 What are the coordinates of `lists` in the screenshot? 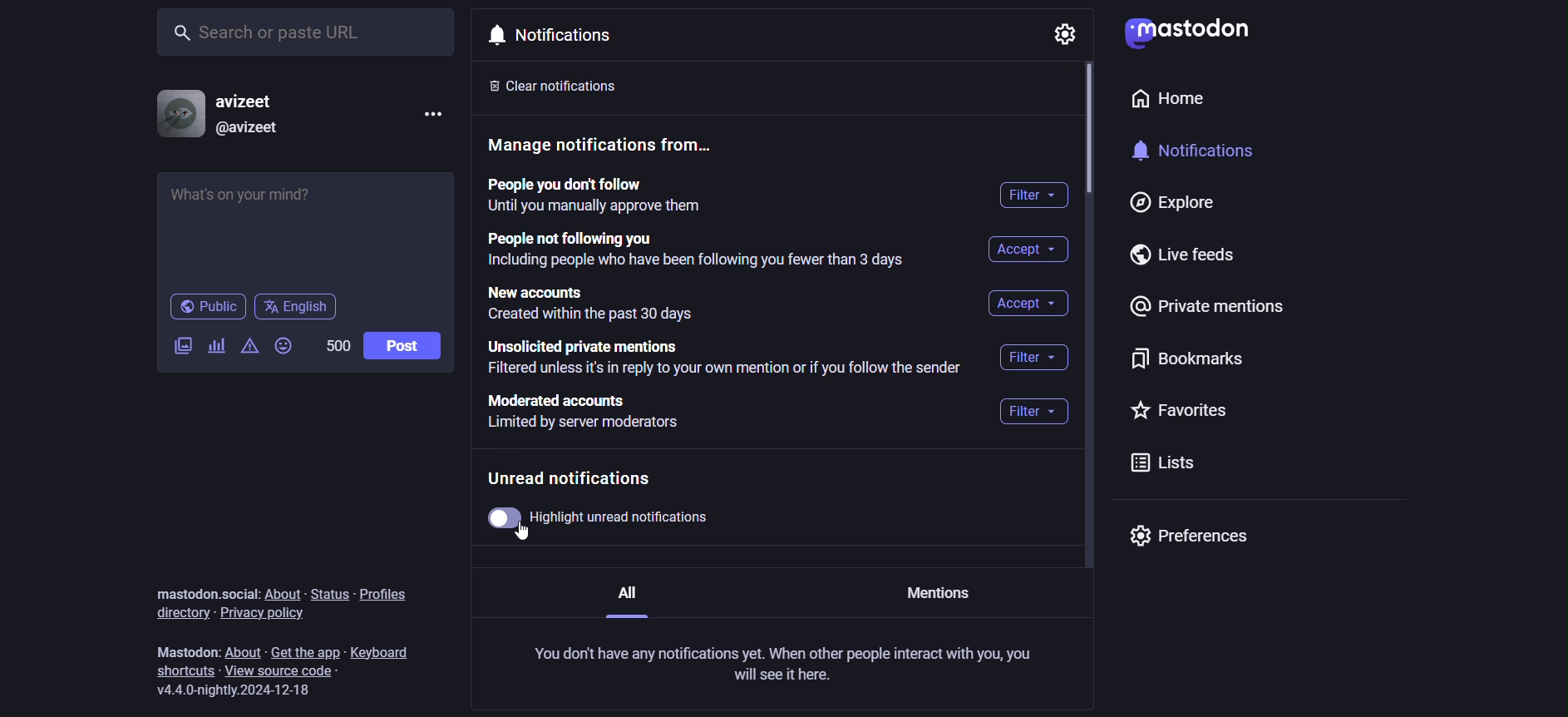 It's located at (1159, 462).